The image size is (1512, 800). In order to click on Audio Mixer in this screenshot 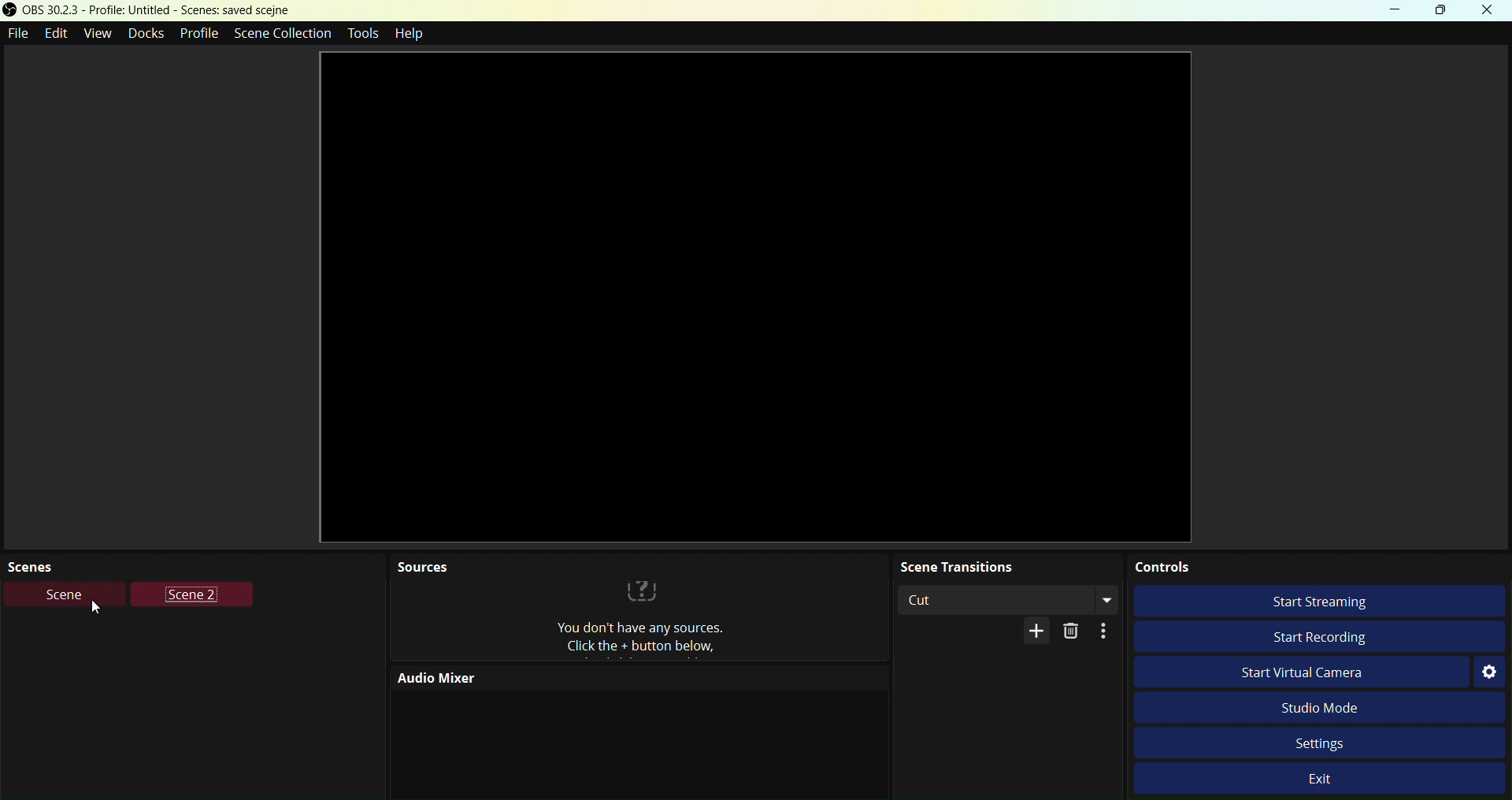, I will do `click(511, 677)`.